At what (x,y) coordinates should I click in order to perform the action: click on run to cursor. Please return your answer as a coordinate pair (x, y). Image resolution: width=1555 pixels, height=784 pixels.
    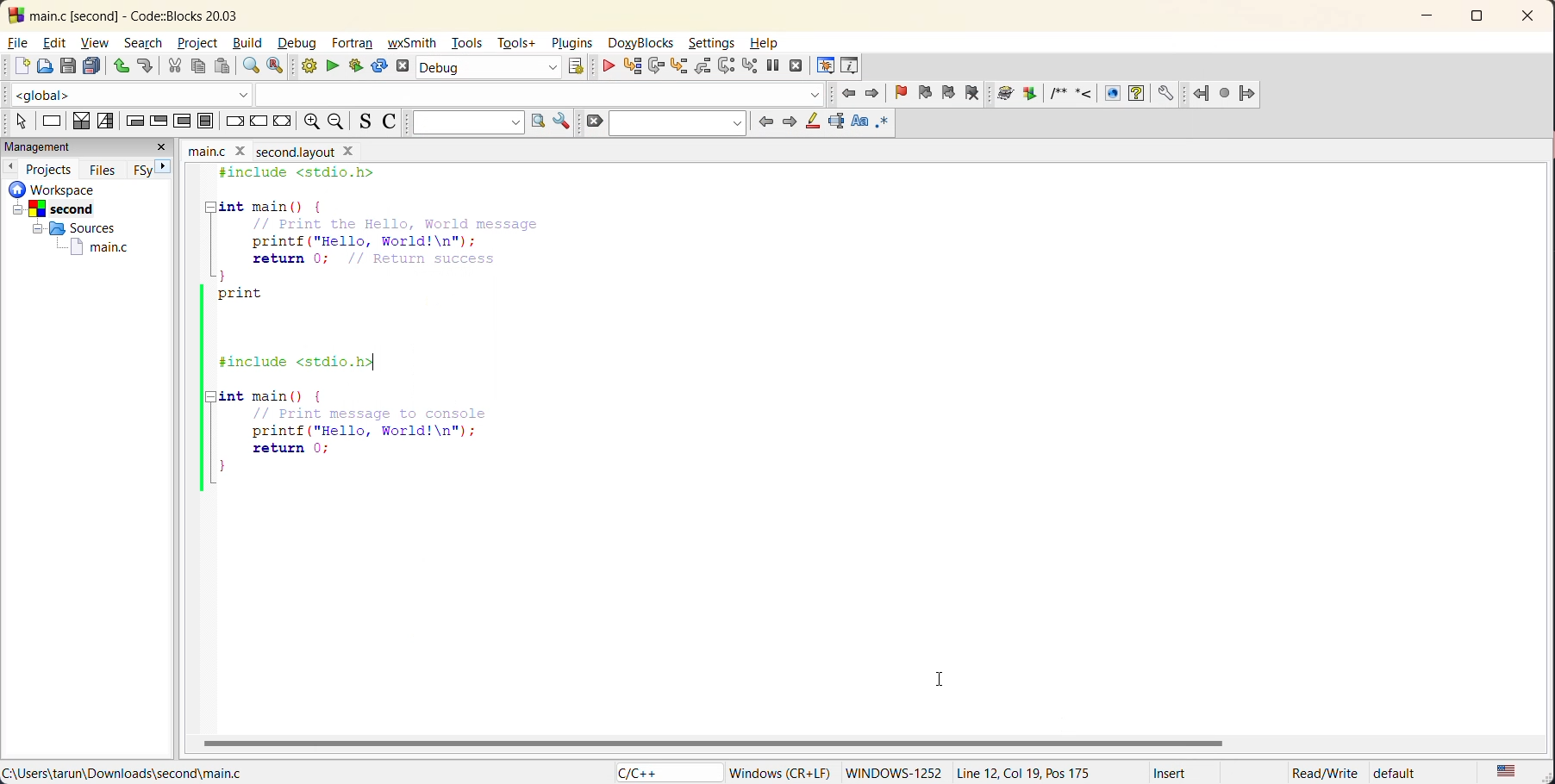
    Looking at the image, I should click on (634, 70).